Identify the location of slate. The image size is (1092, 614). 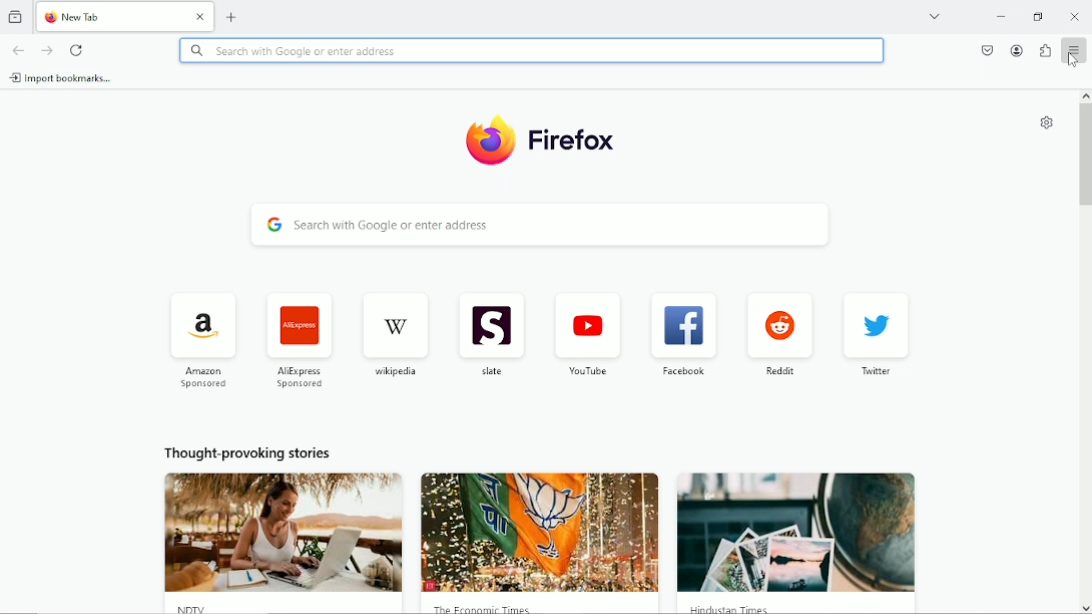
(489, 378).